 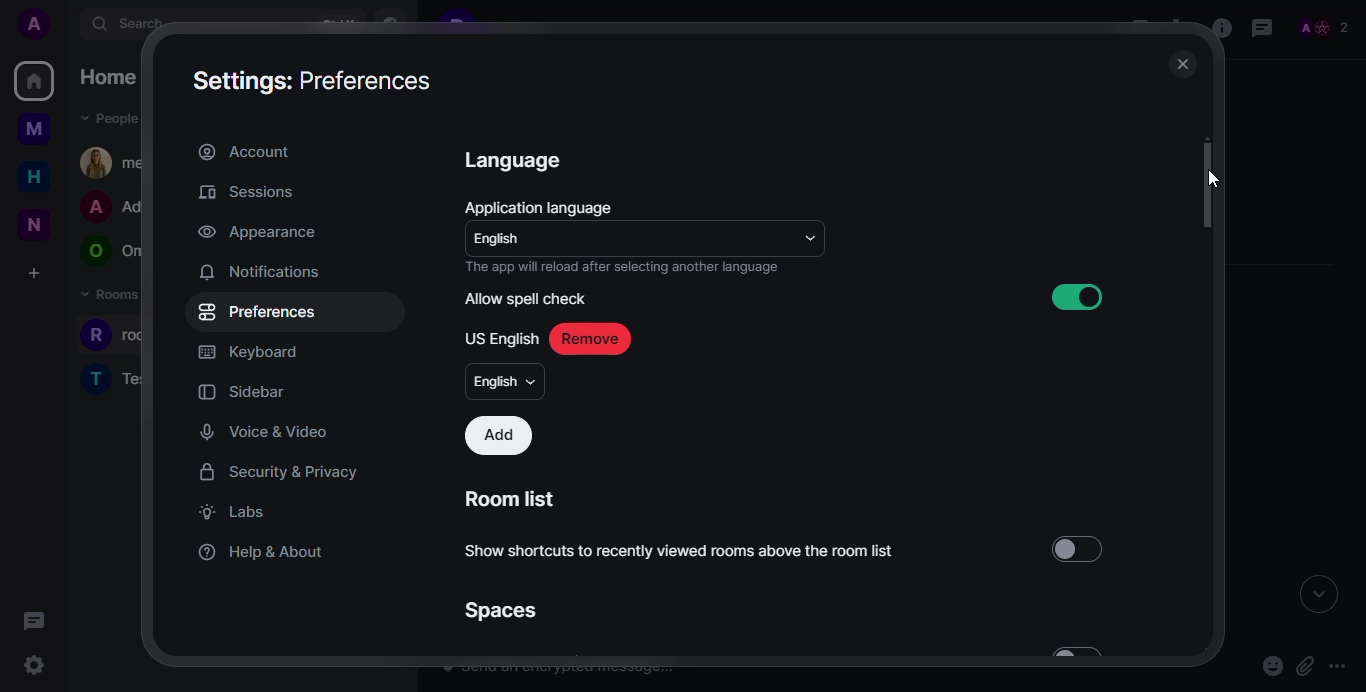 I want to click on myspace, so click(x=33, y=131).